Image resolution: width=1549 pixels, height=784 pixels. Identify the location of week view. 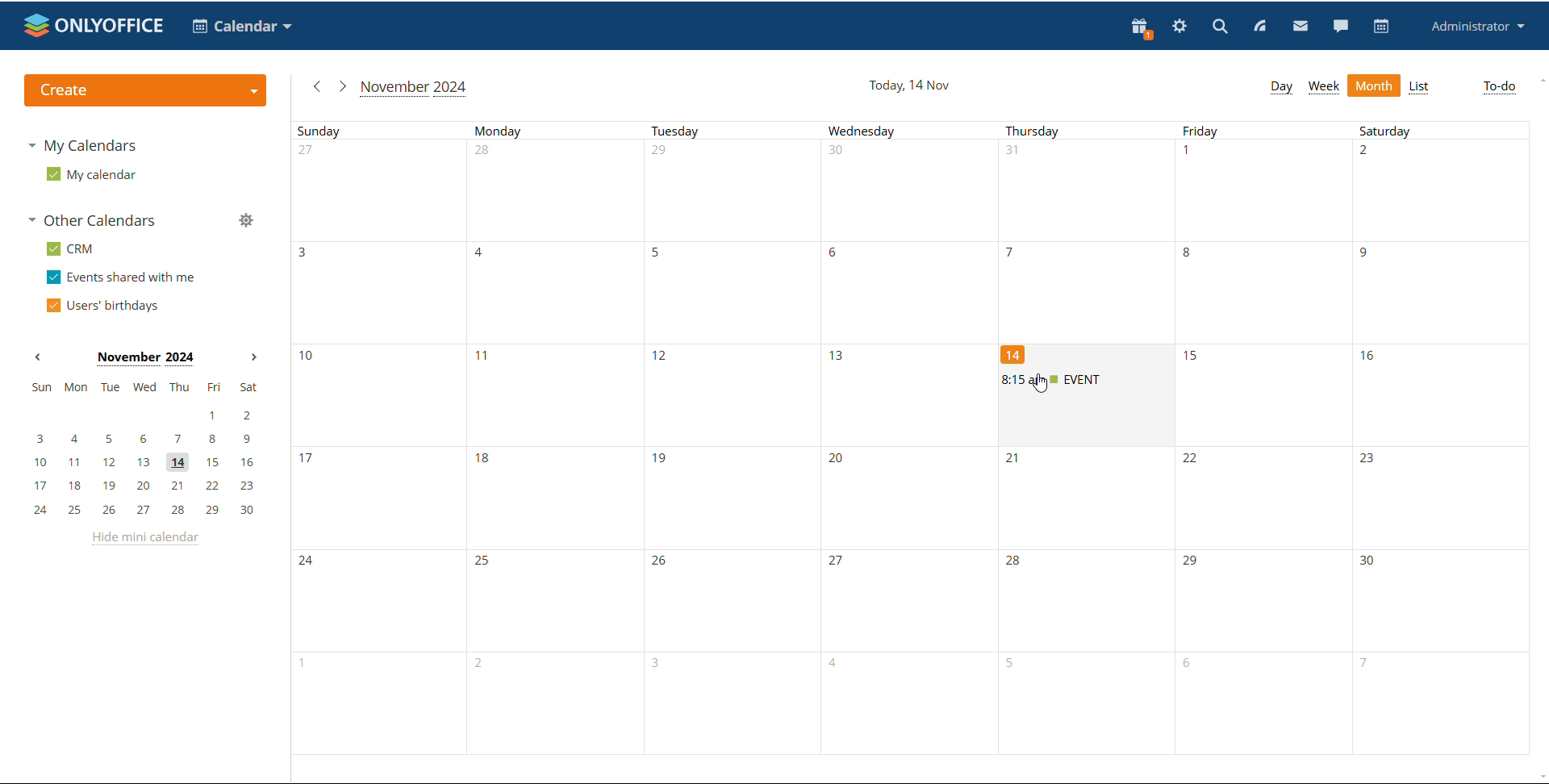
(1324, 87).